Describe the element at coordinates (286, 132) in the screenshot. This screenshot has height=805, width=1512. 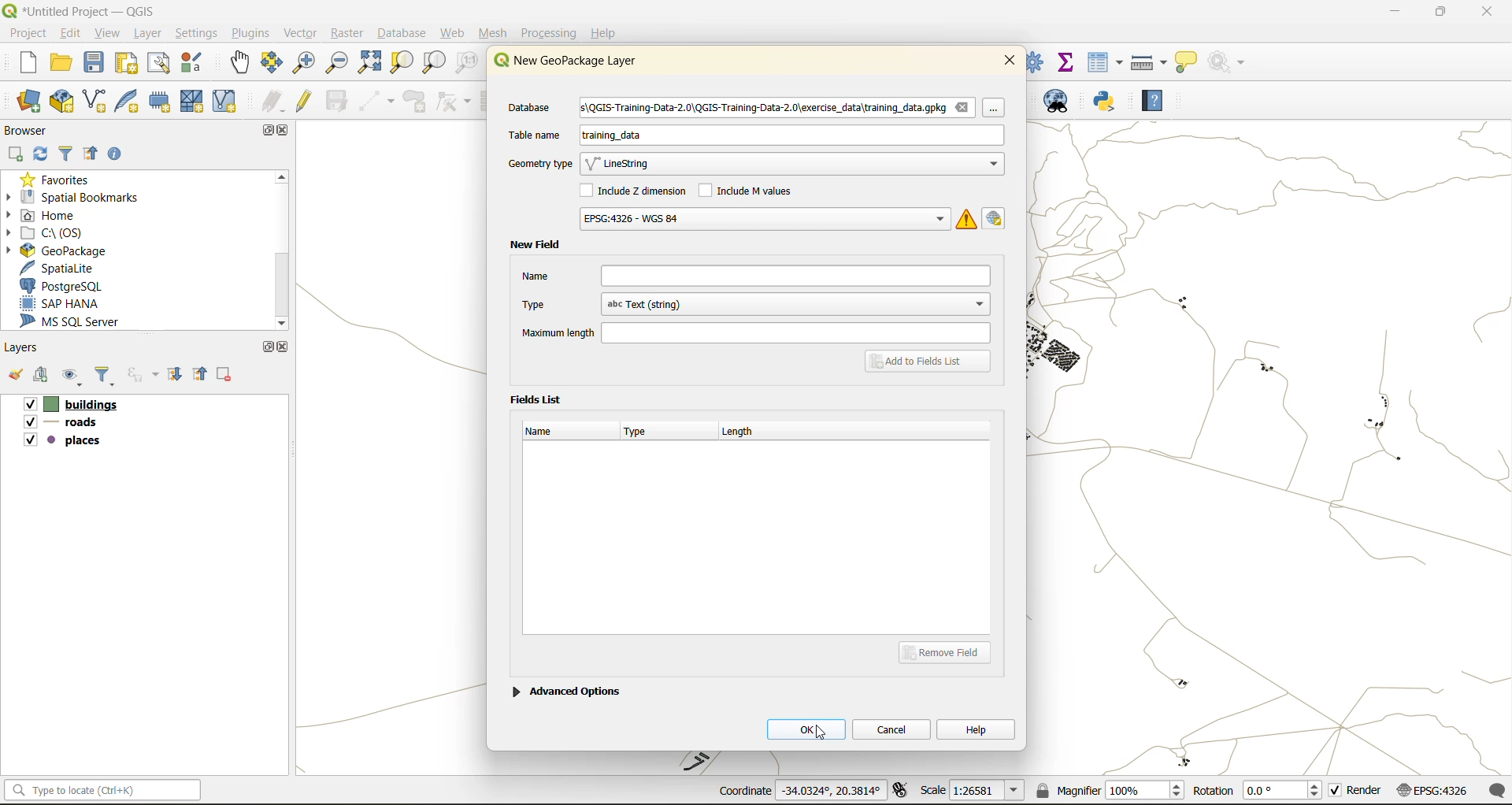
I see `close` at that location.